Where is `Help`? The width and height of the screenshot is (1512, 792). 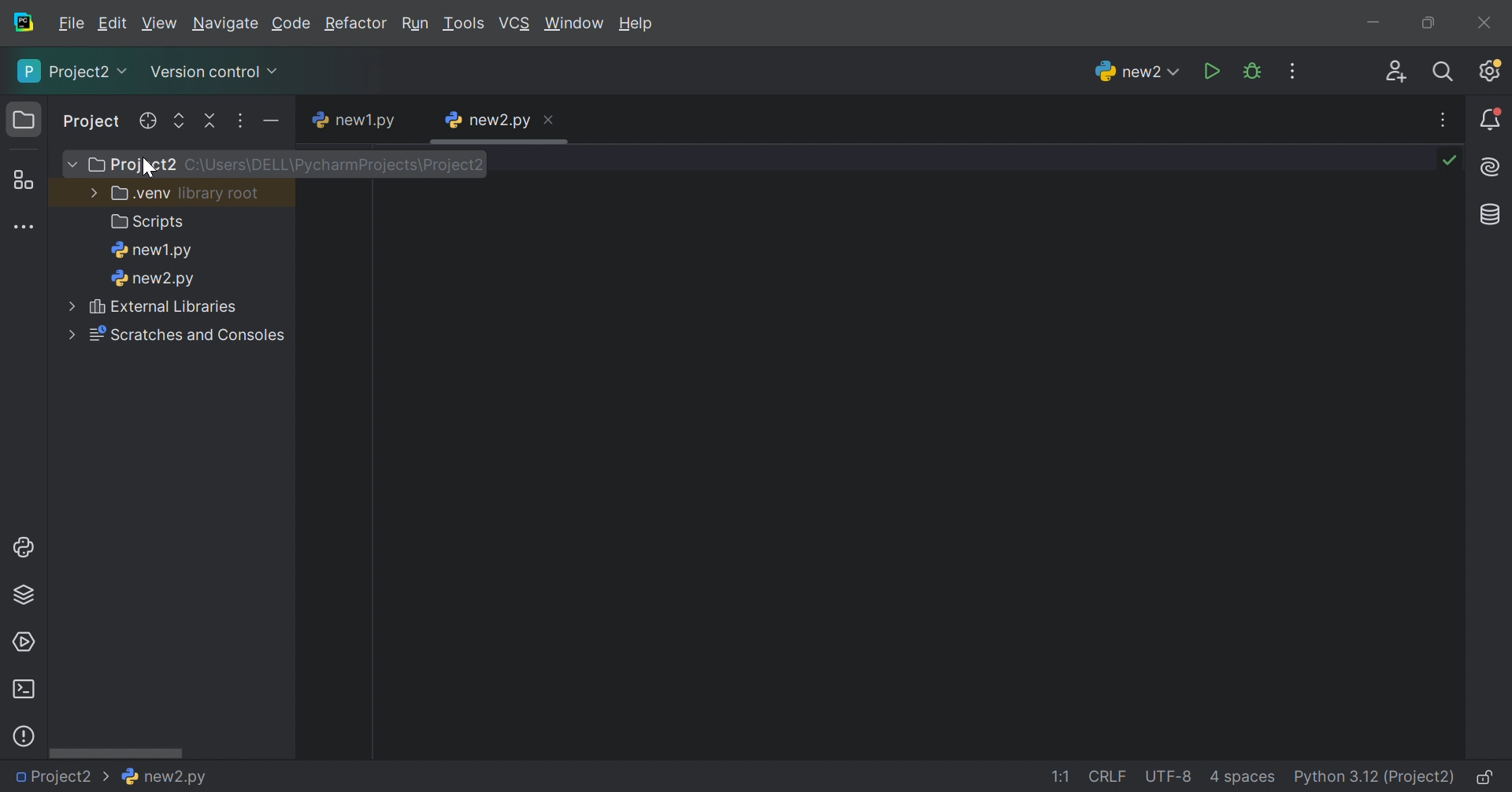
Help is located at coordinates (633, 21).